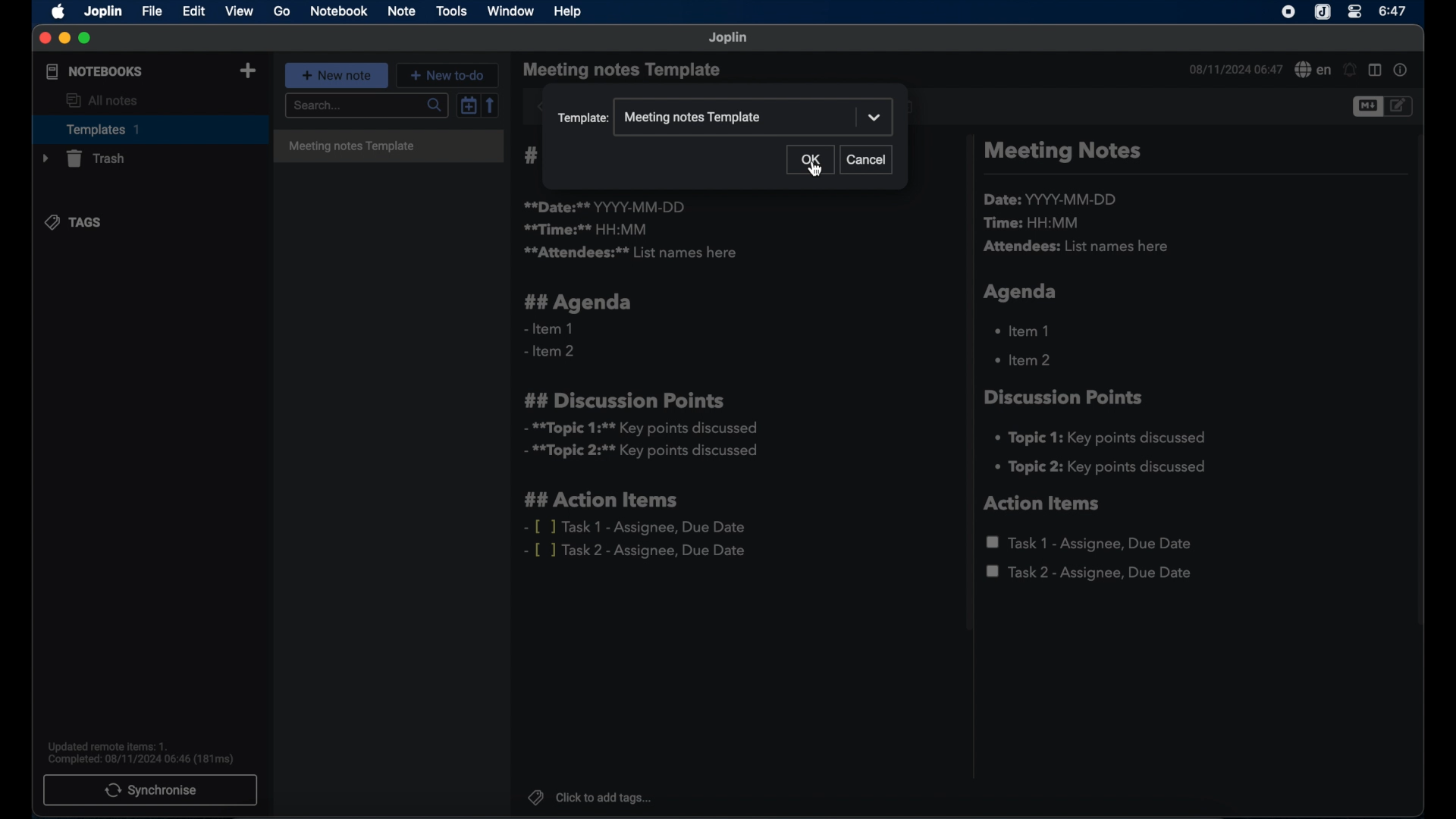 The width and height of the screenshot is (1456, 819). I want to click on 08/11/2024 06:47, so click(1234, 69).